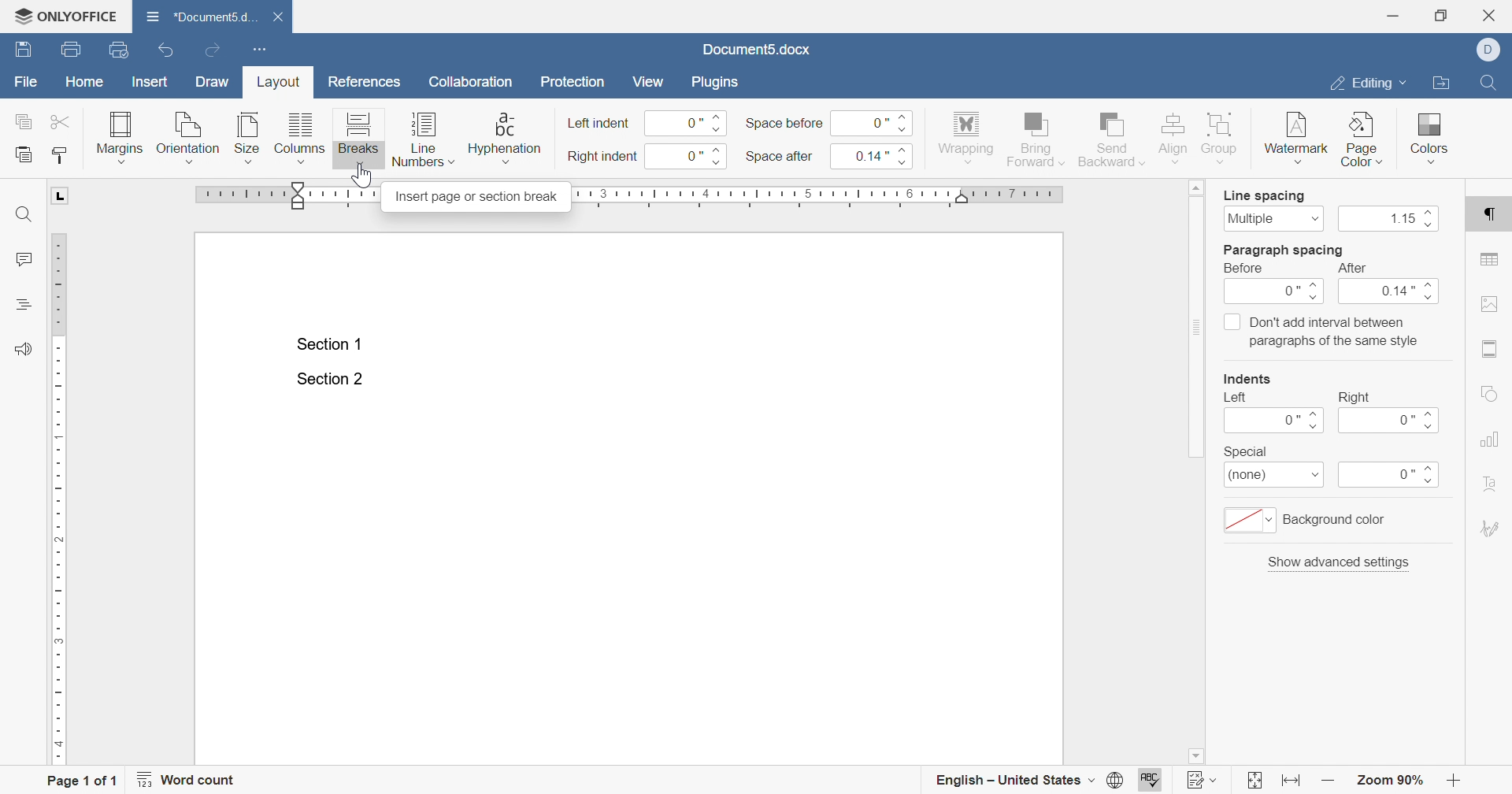  Describe the element at coordinates (1309, 520) in the screenshot. I see `background color` at that location.